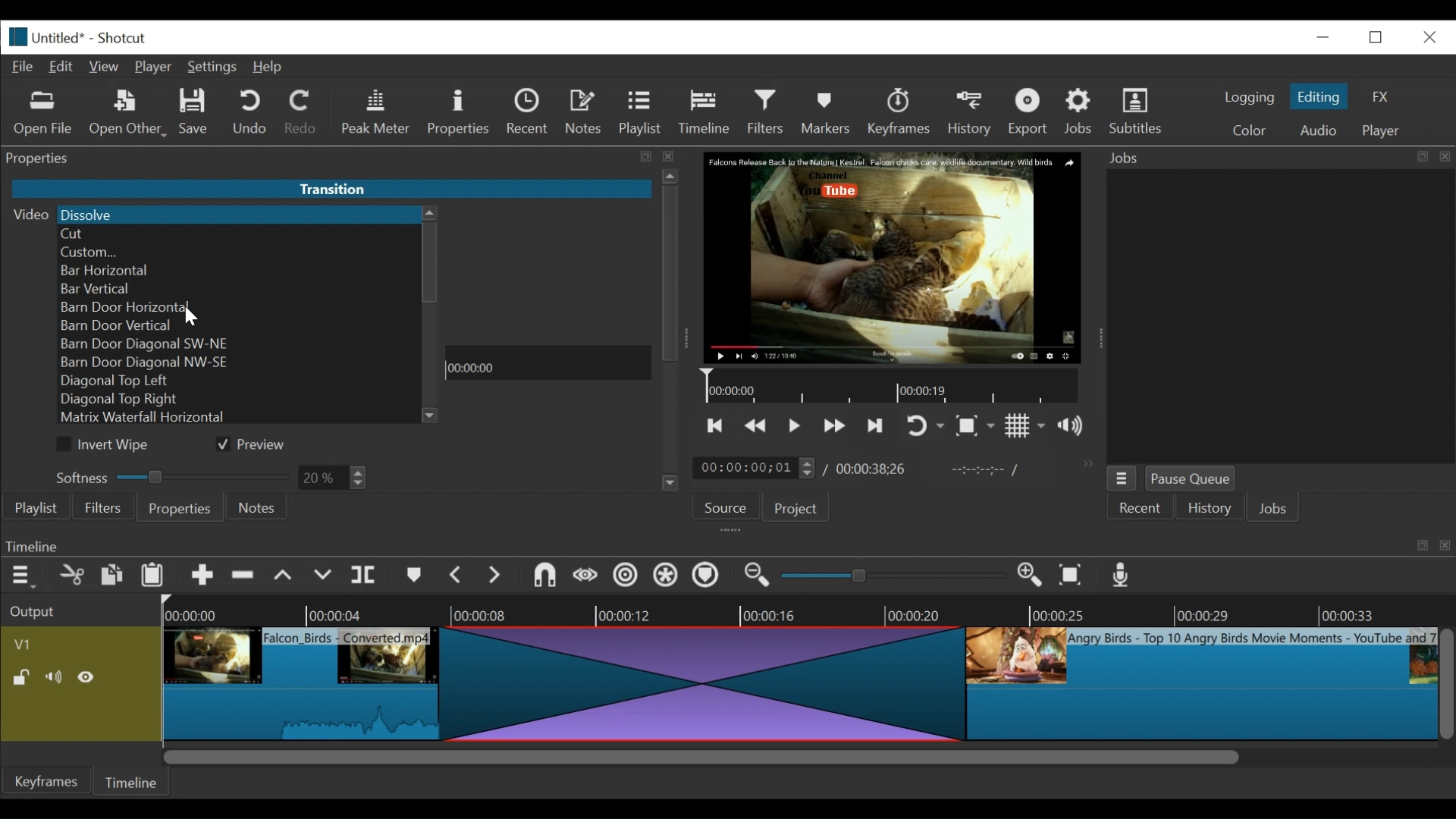 The height and width of the screenshot is (819, 1456). I want to click on Filters, so click(770, 112).